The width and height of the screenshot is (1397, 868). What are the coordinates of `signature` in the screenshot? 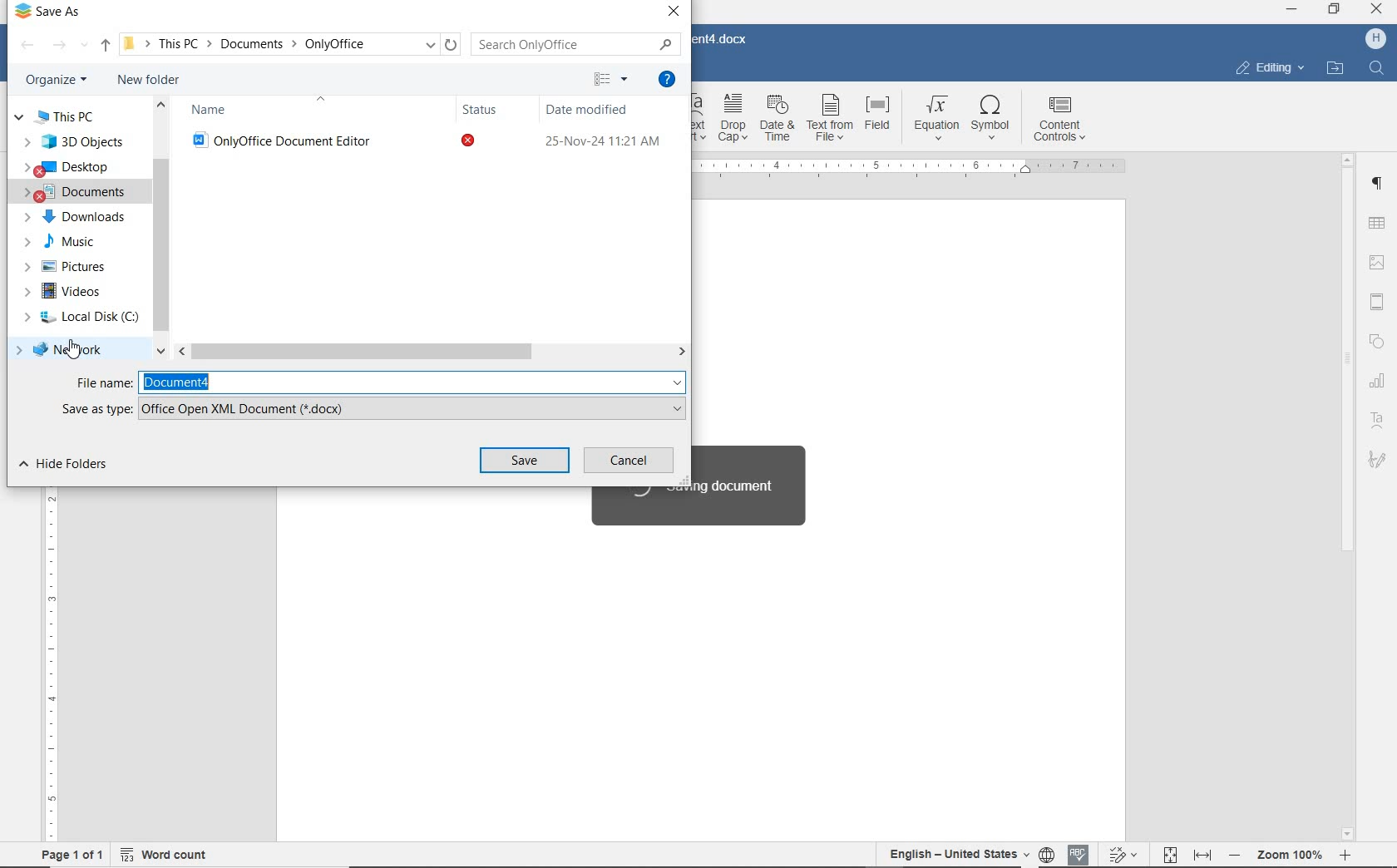 It's located at (1380, 460).